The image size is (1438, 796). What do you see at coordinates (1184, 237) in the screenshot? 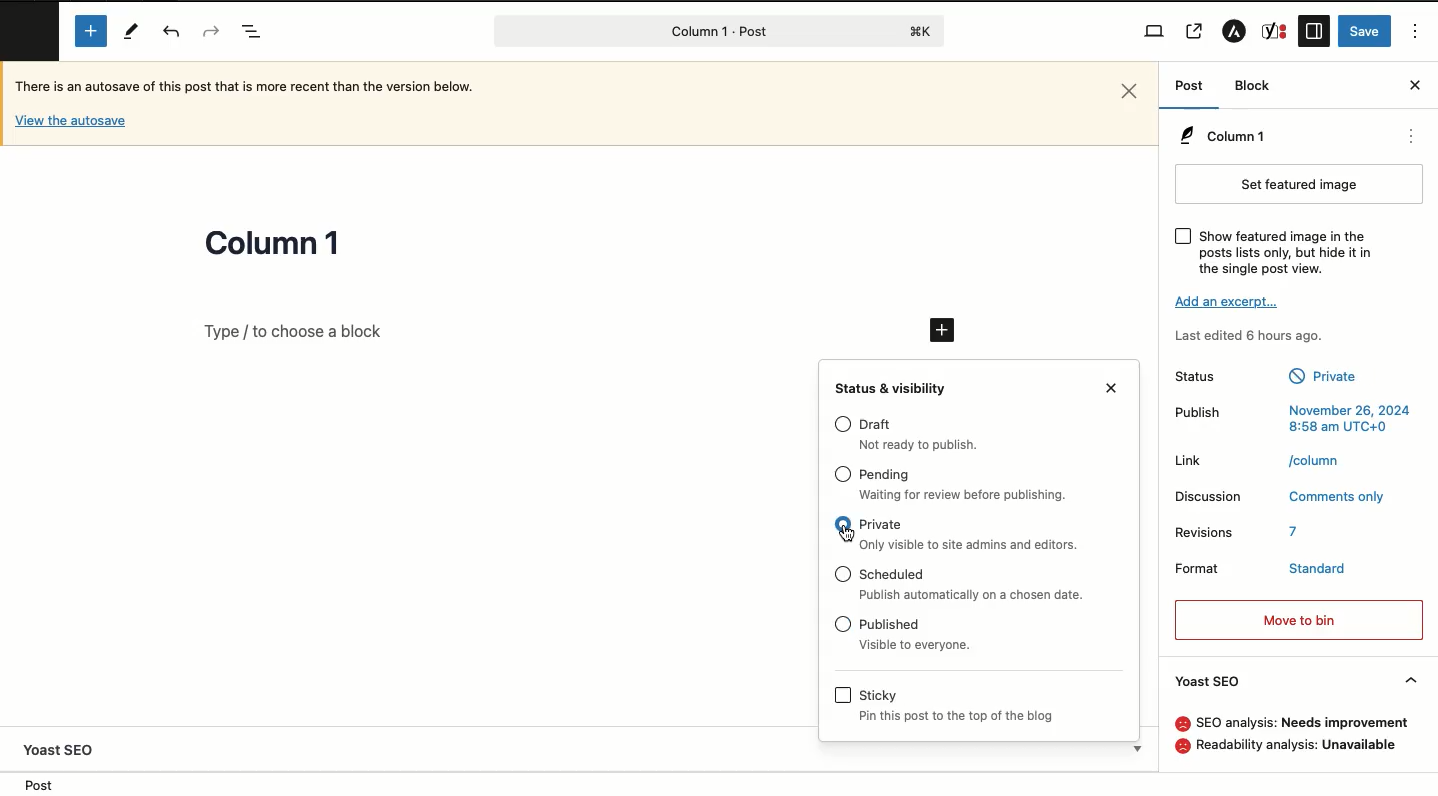
I see `Checkbox` at bounding box center [1184, 237].